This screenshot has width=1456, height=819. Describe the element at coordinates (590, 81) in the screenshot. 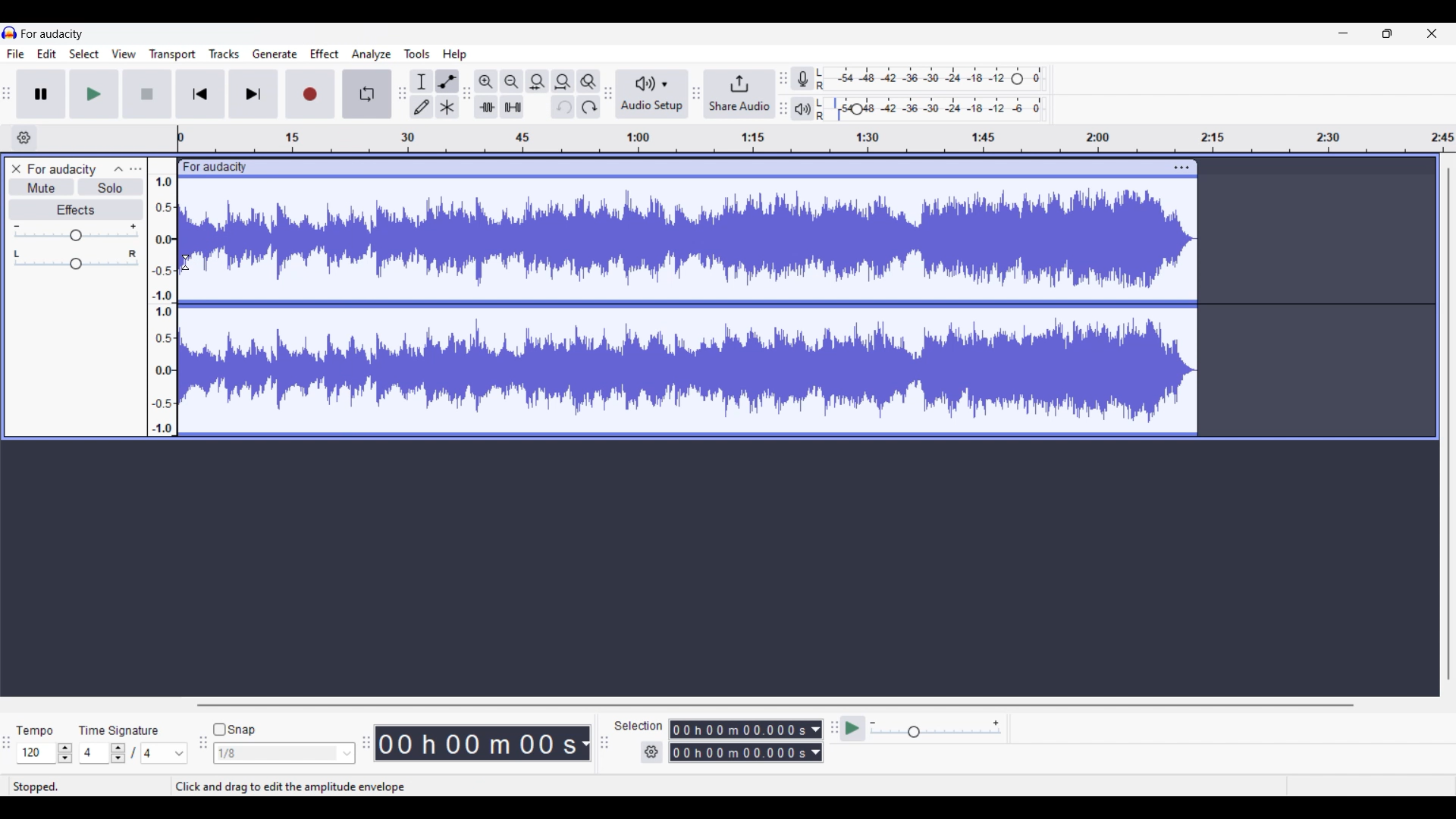

I see `Zoom toggle` at that location.